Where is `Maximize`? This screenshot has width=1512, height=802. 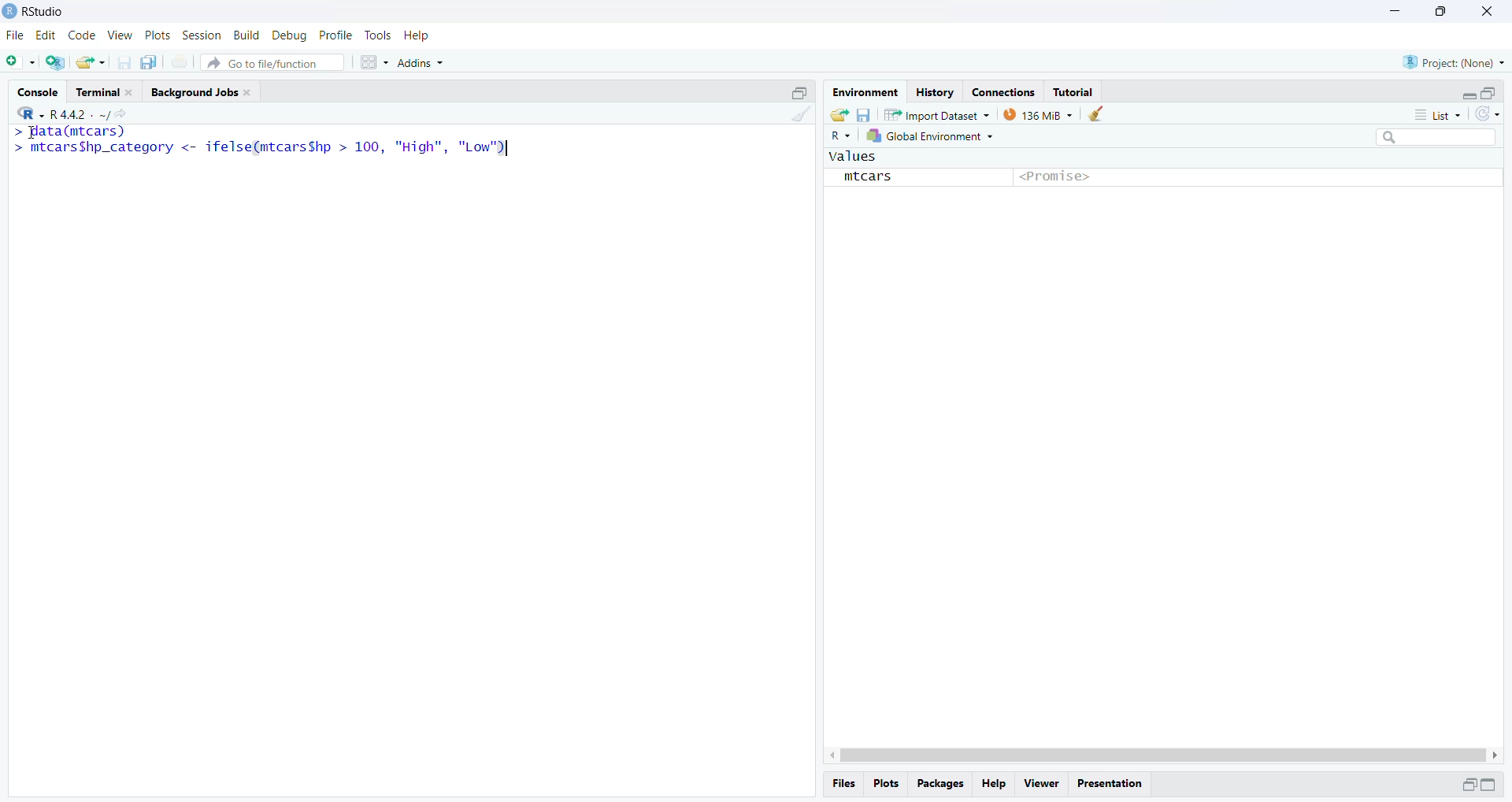 Maximize is located at coordinates (1489, 91).